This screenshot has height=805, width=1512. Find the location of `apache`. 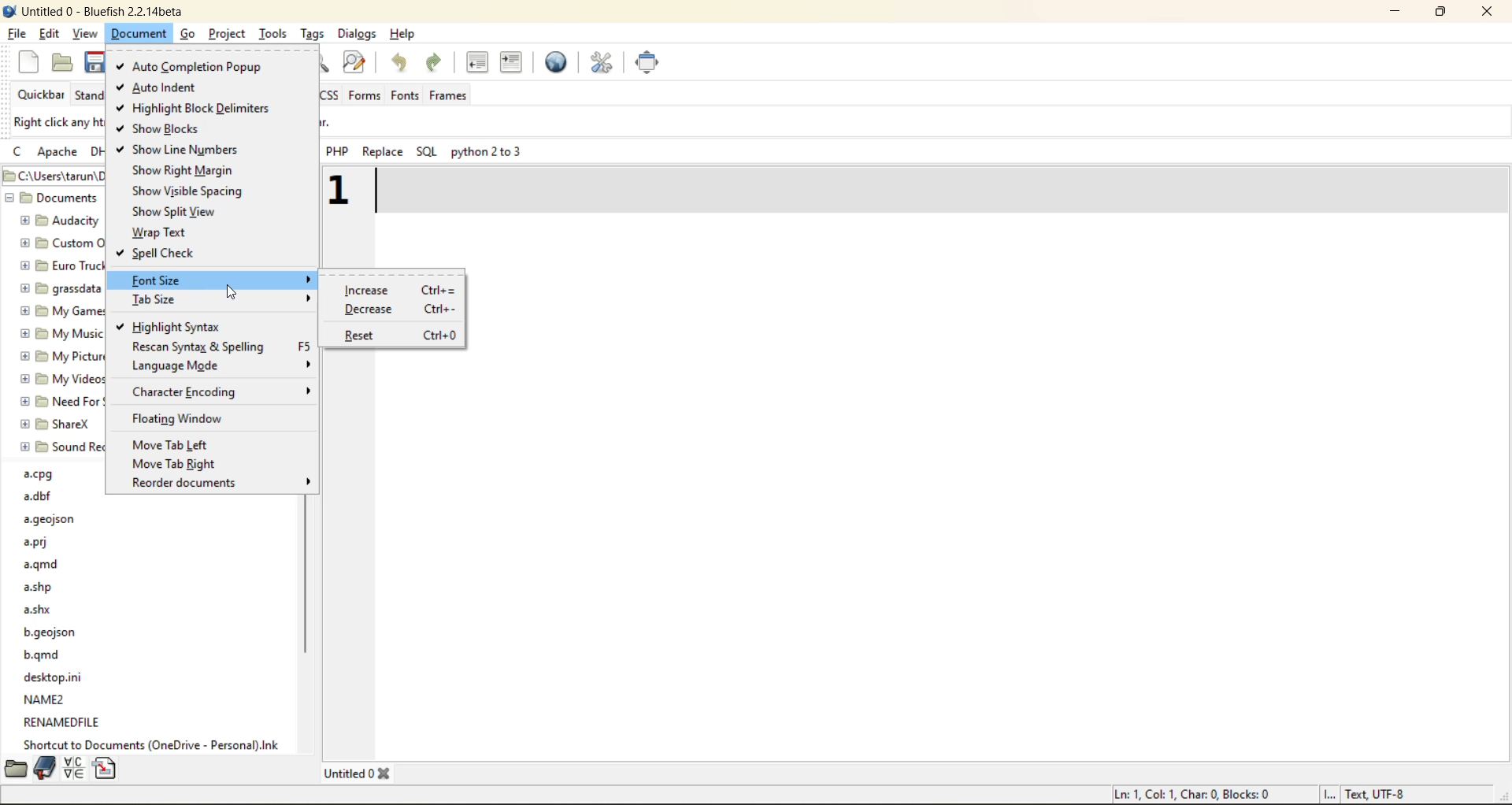

apache is located at coordinates (60, 152).